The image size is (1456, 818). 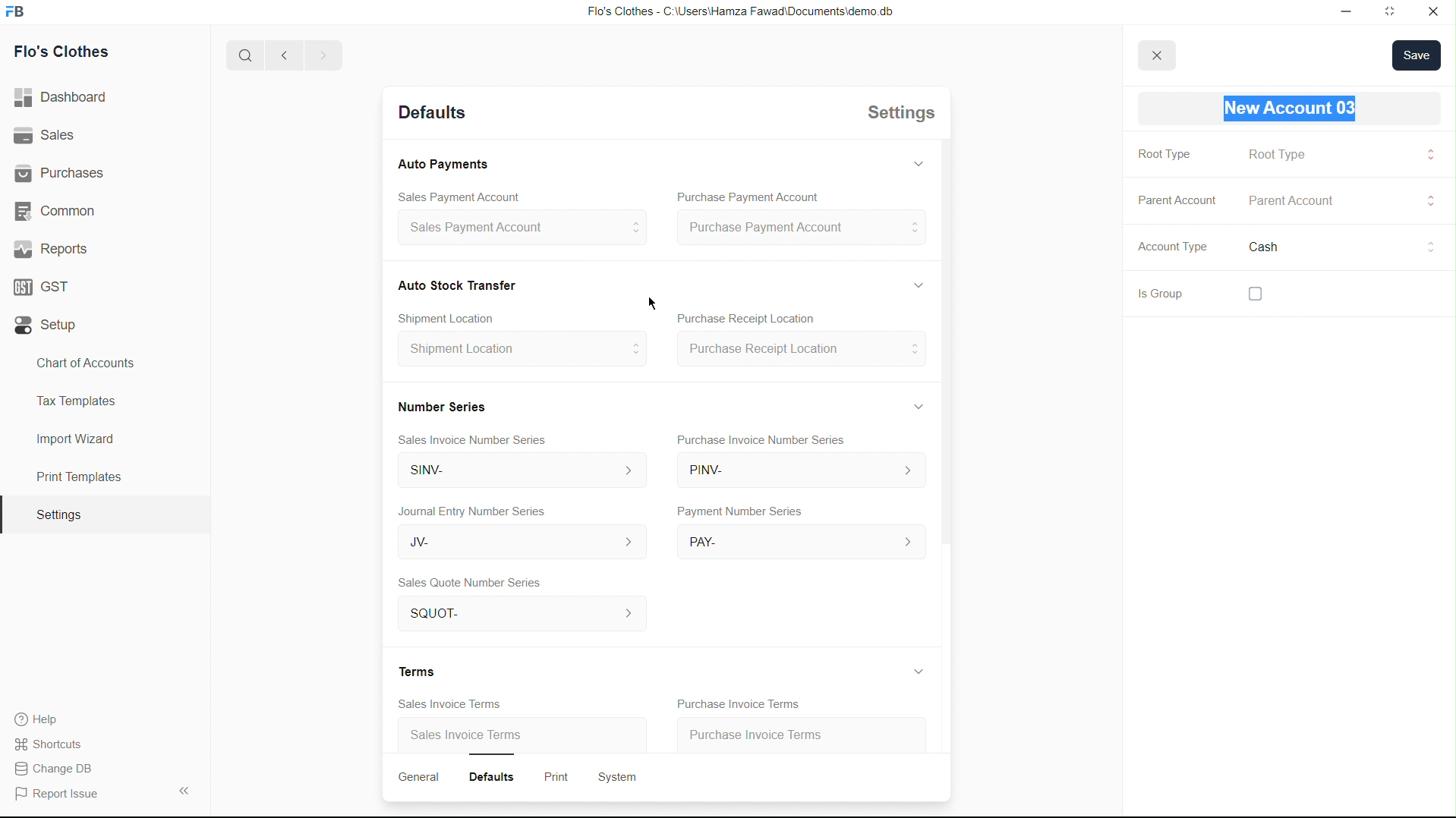 I want to click on Minimize, so click(x=1343, y=12).